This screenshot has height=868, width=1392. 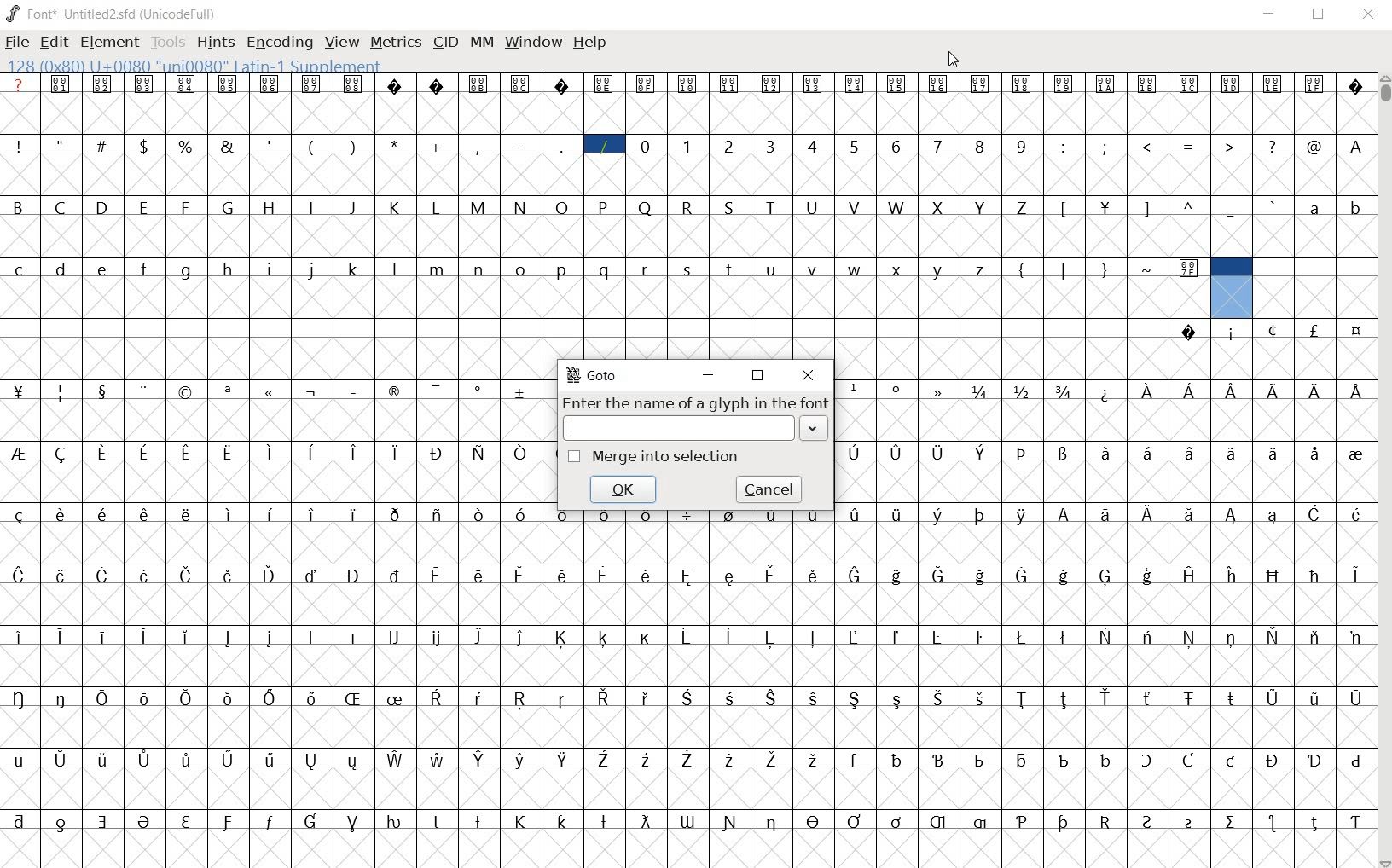 I want to click on Symbol, so click(x=1066, y=391).